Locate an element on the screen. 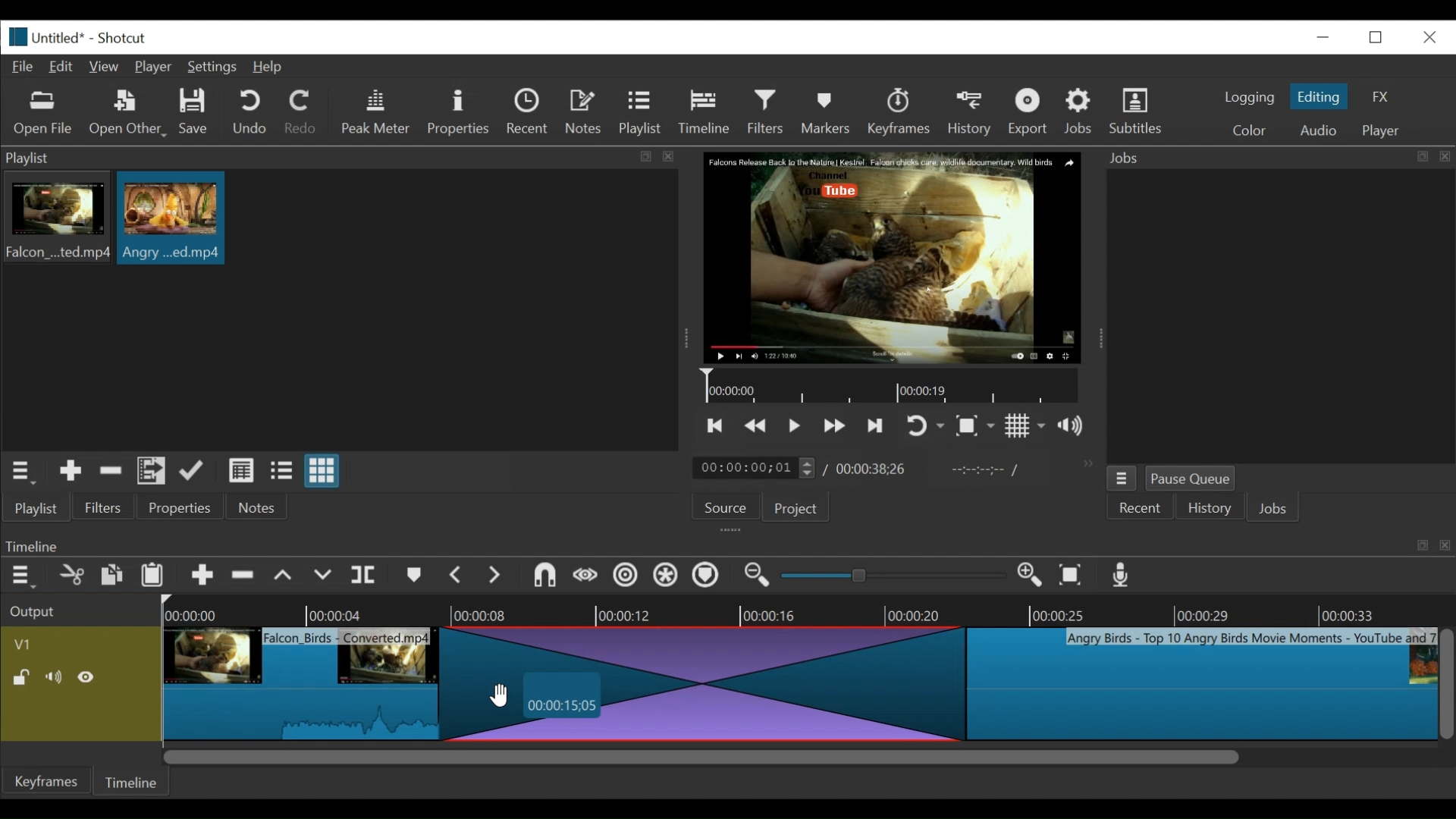 The width and height of the screenshot is (1456, 819). Shotcut is located at coordinates (121, 39).